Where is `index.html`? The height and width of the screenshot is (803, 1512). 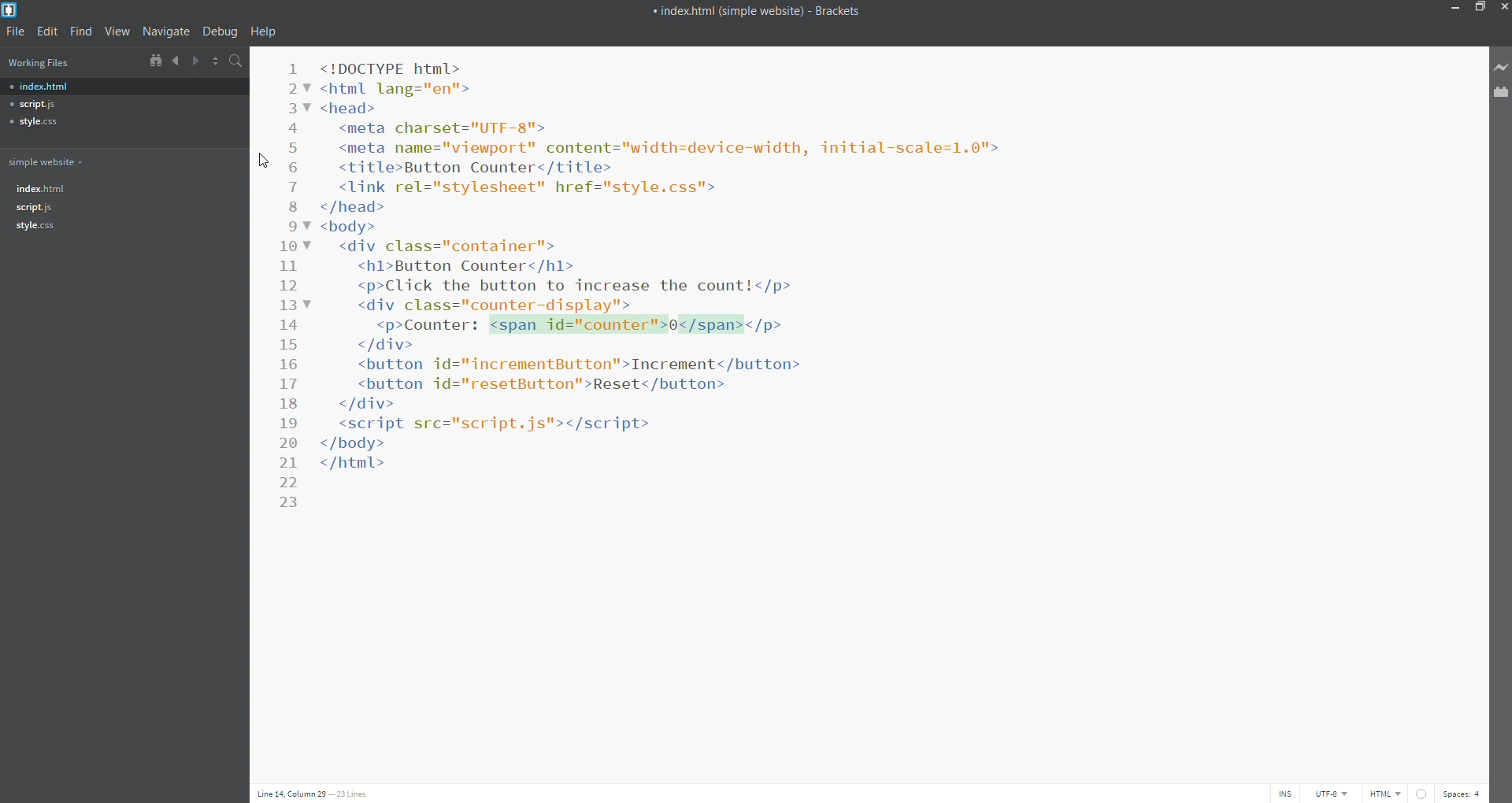 index.html is located at coordinates (124, 189).